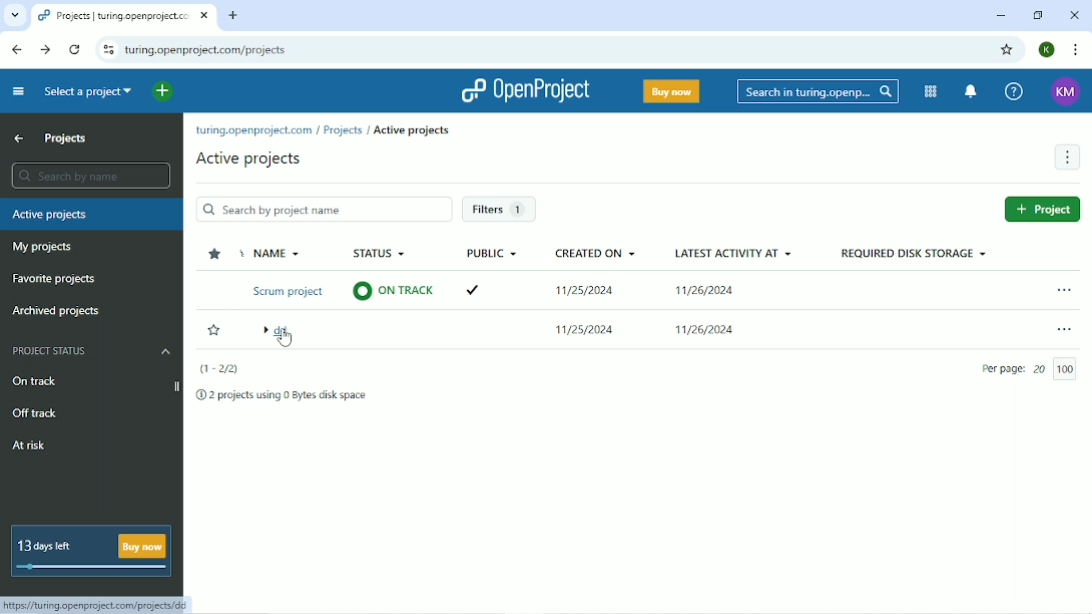  What do you see at coordinates (92, 215) in the screenshot?
I see `Active projects` at bounding box center [92, 215].